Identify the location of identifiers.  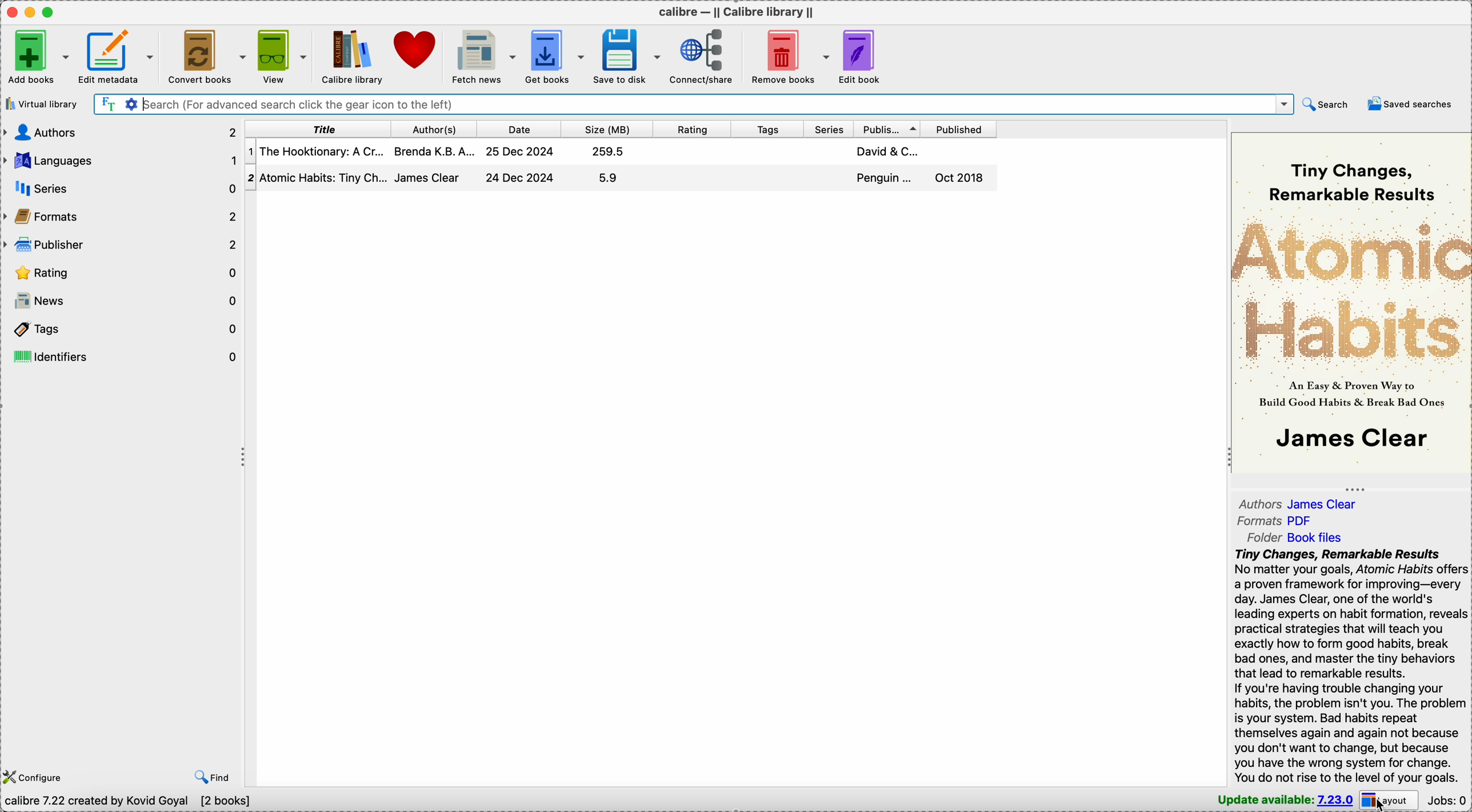
(122, 355).